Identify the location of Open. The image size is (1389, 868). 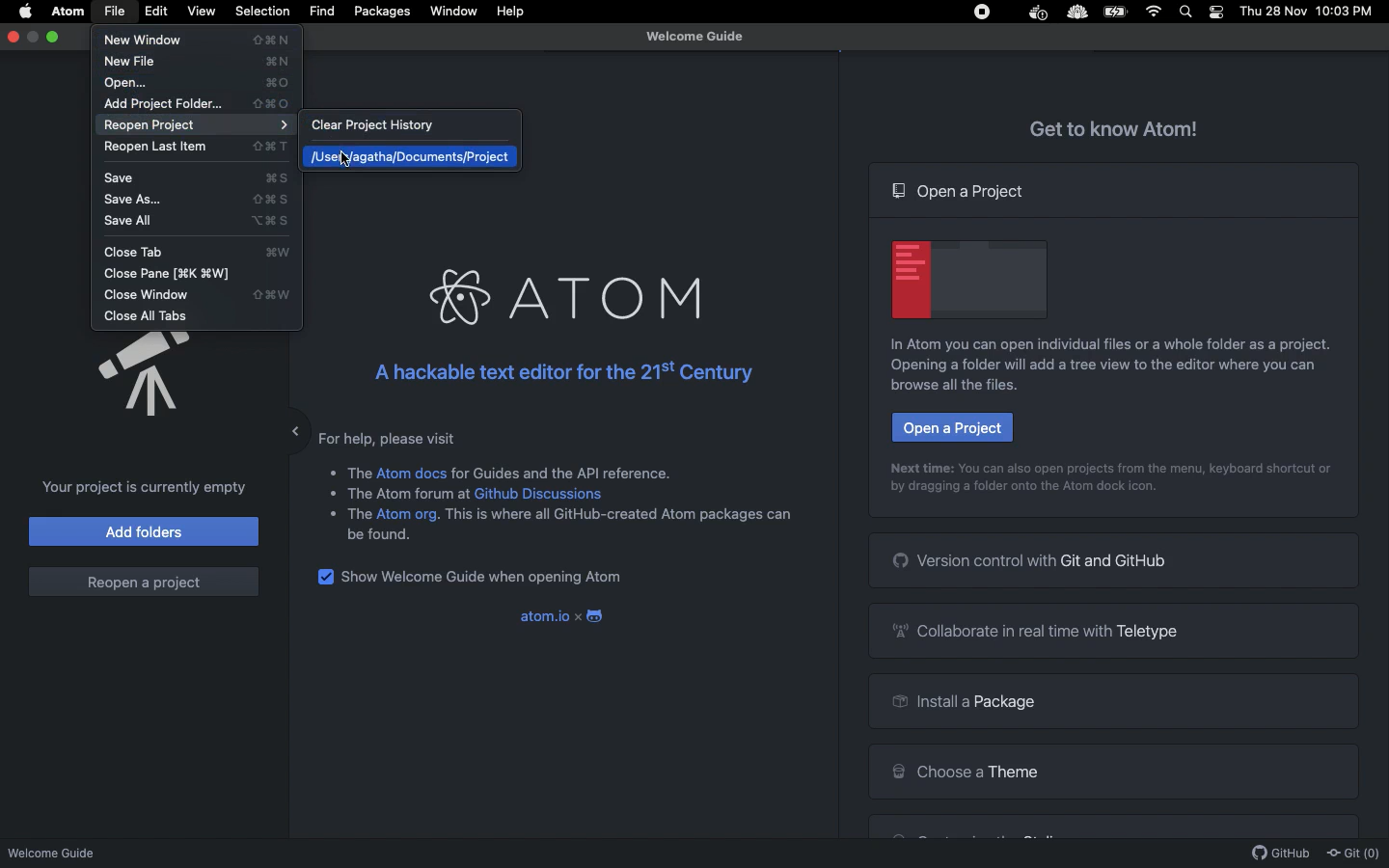
(199, 83).